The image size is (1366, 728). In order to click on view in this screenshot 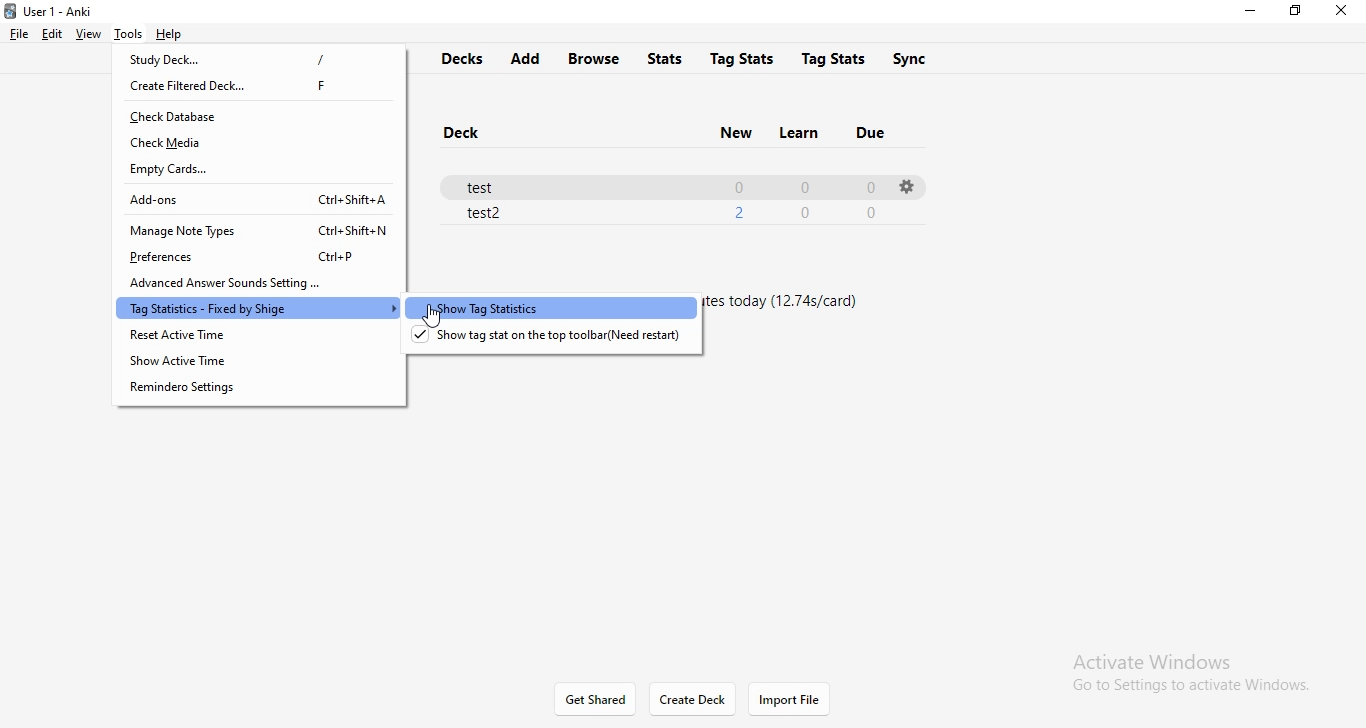, I will do `click(89, 35)`.